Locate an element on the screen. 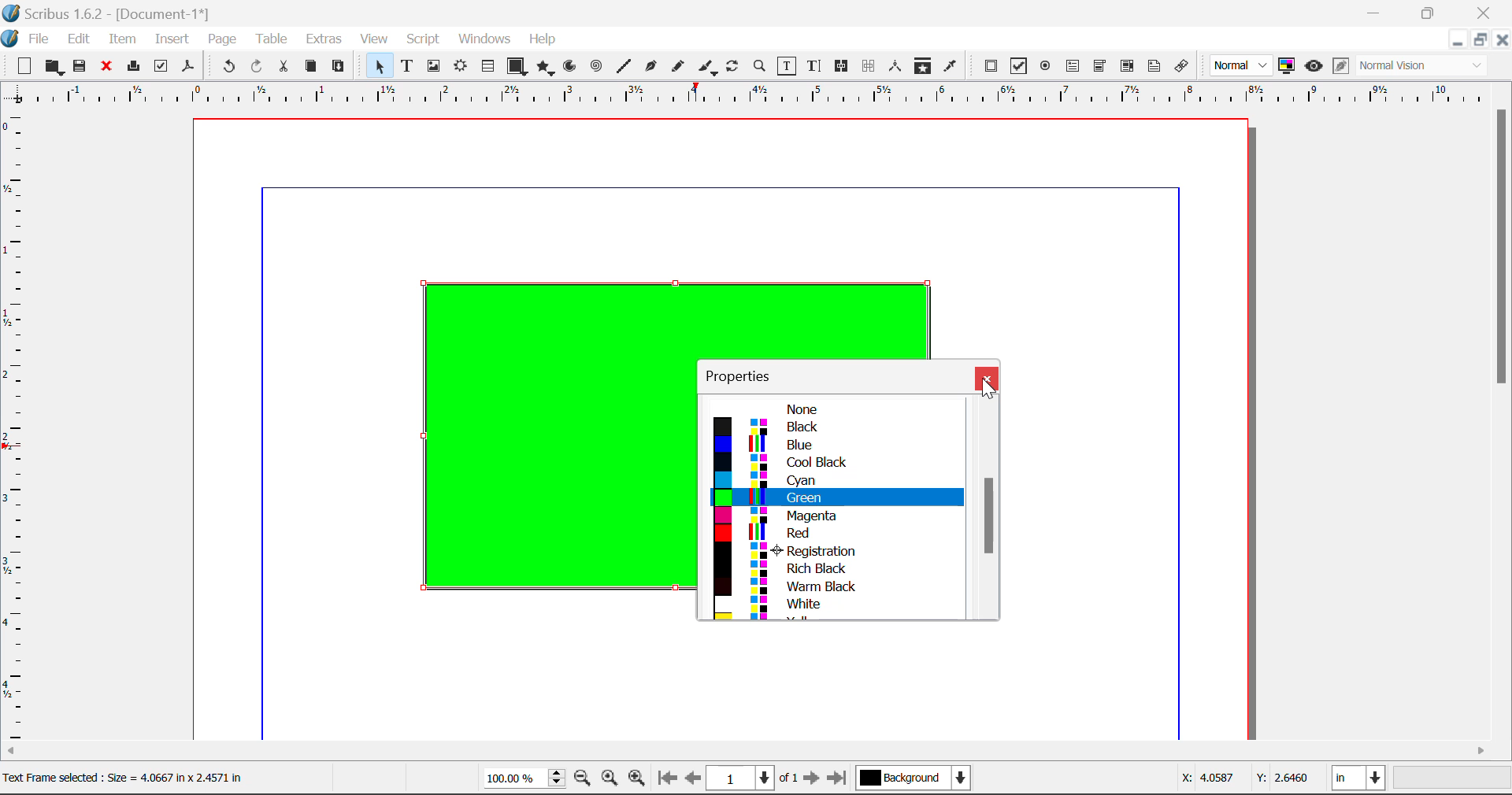 This screenshot has height=795, width=1512. Link Annotation is located at coordinates (1180, 66).